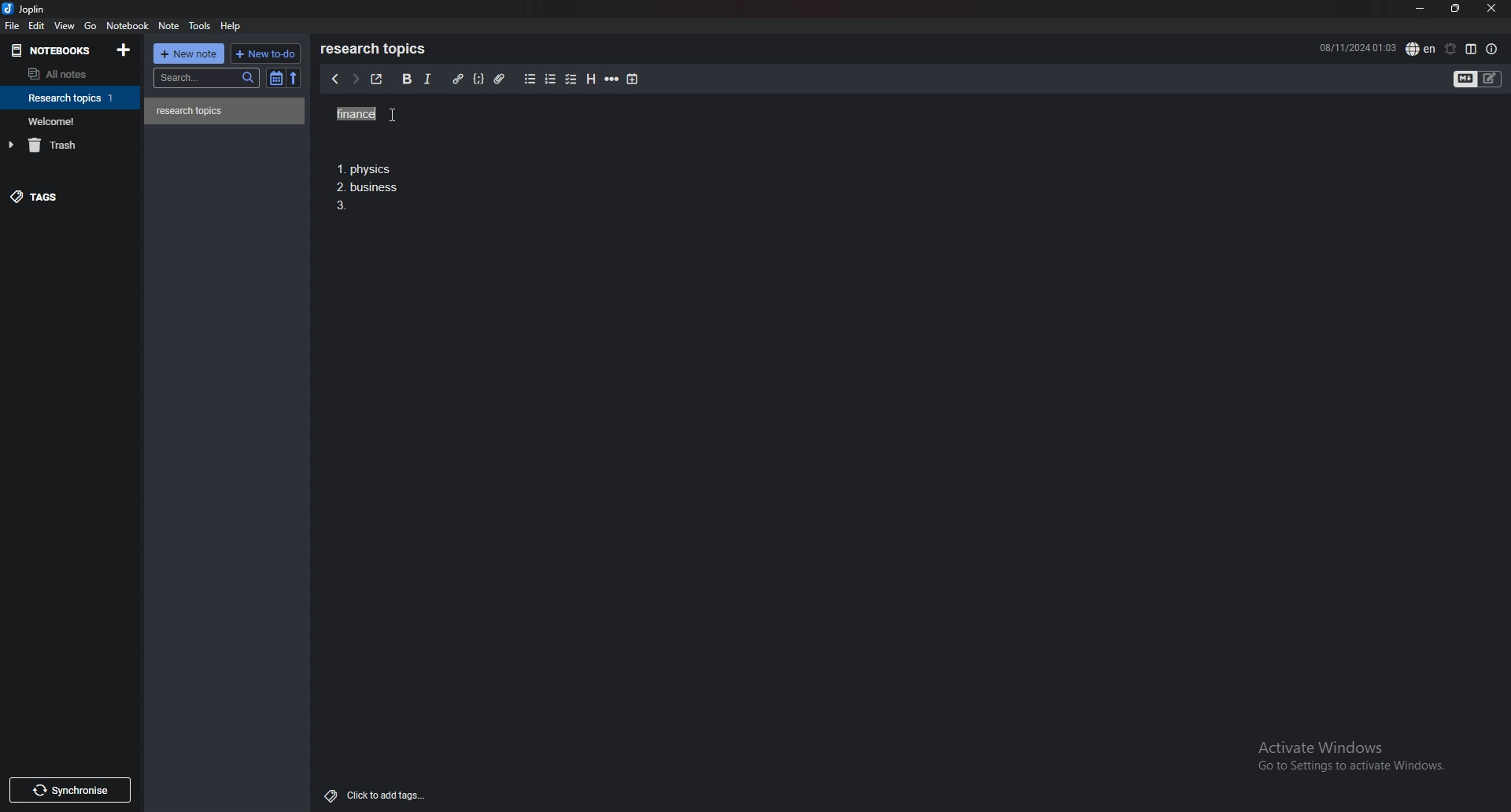 This screenshot has height=812, width=1511. Describe the element at coordinates (405, 79) in the screenshot. I see `bold` at that location.